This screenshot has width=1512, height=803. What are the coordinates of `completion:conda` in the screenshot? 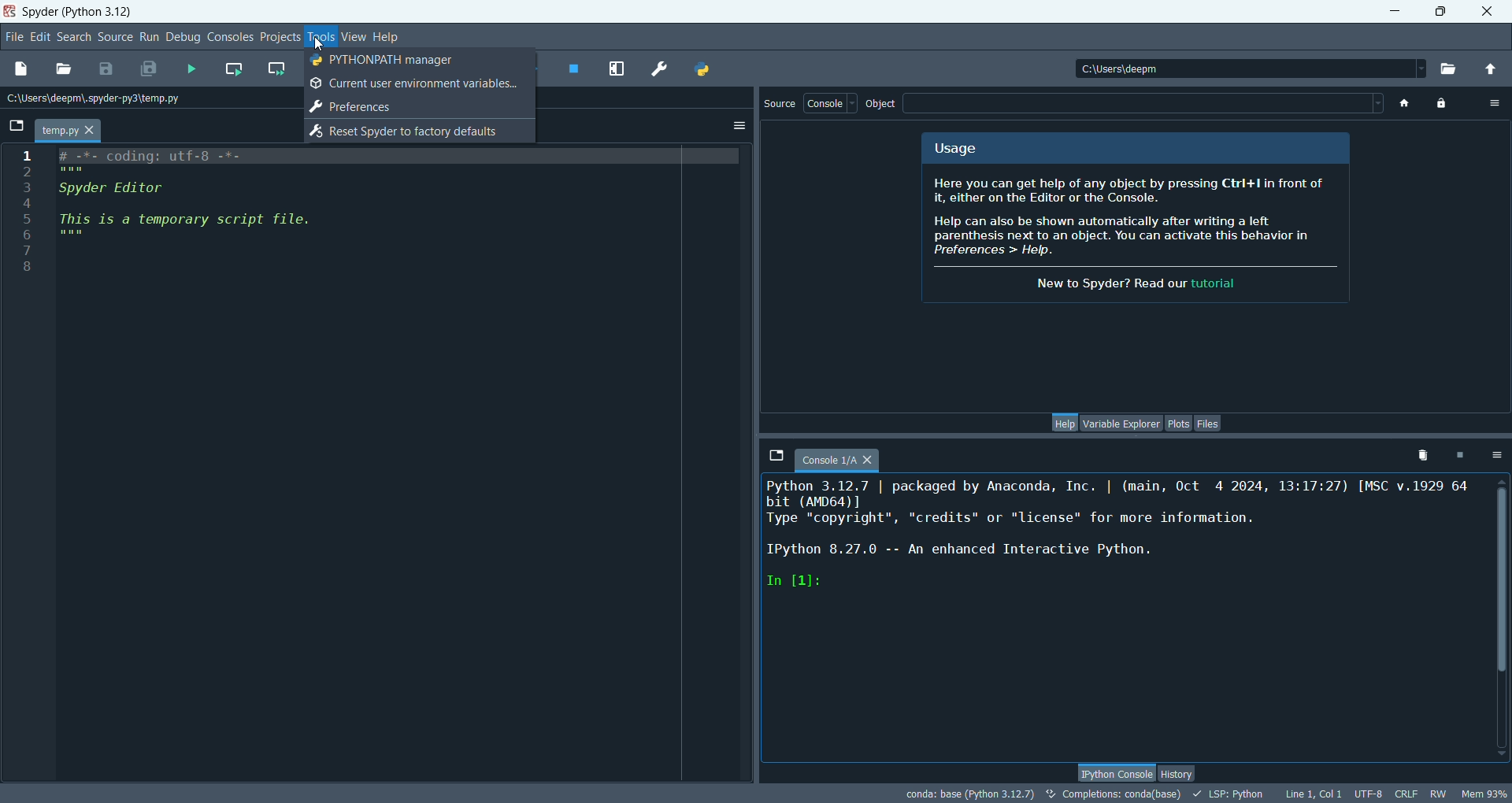 It's located at (1113, 796).